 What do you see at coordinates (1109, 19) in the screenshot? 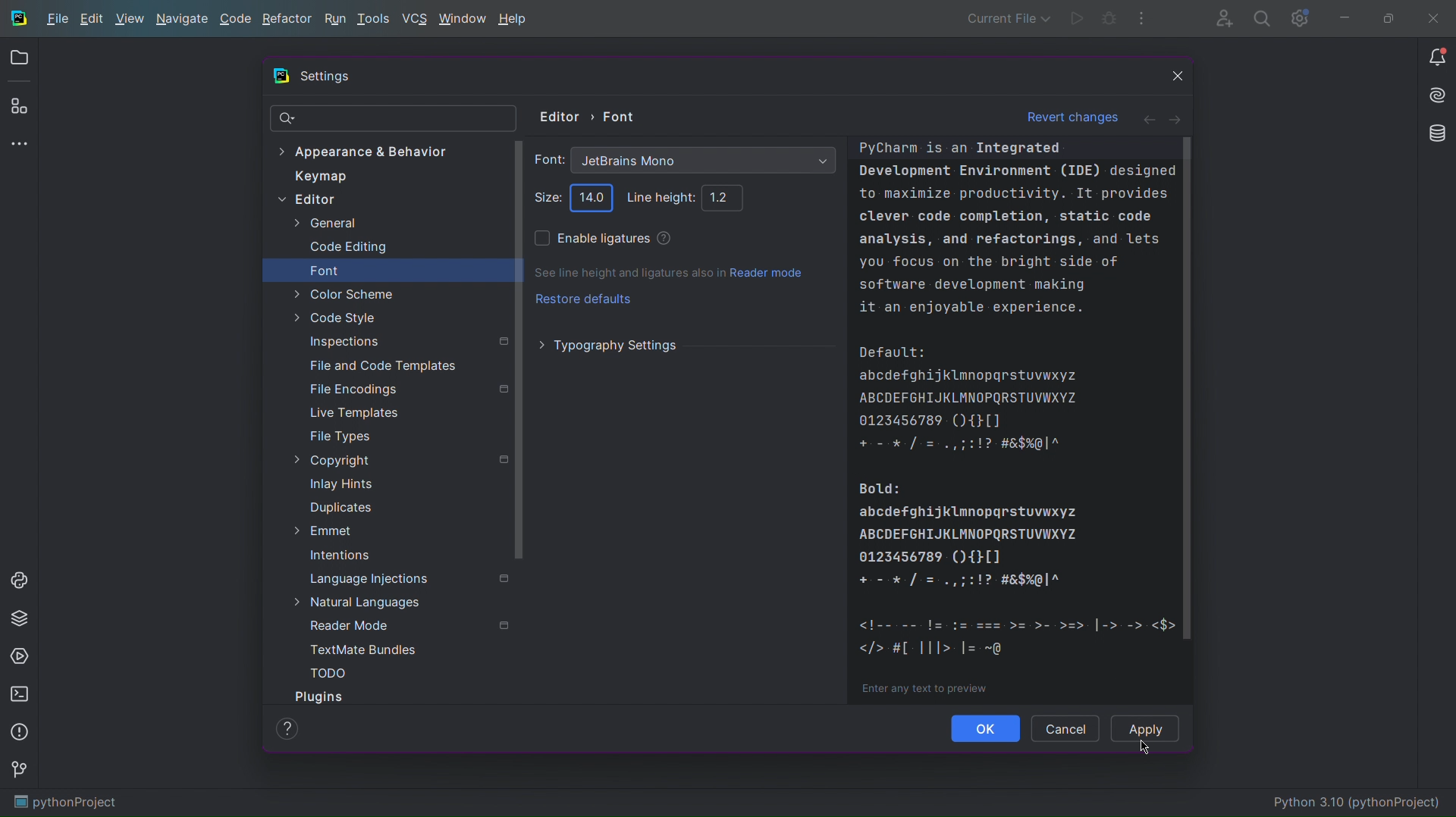
I see `Bug Test` at bounding box center [1109, 19].